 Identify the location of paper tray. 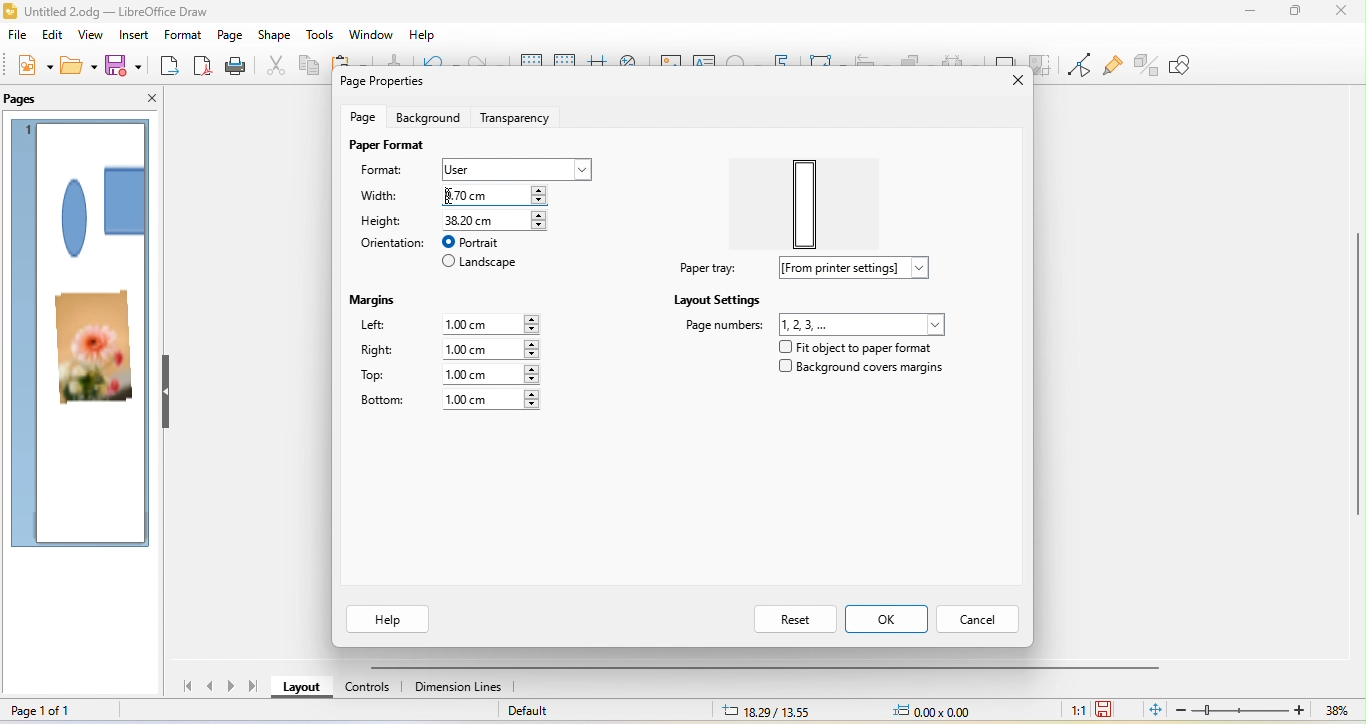
(701, 269).